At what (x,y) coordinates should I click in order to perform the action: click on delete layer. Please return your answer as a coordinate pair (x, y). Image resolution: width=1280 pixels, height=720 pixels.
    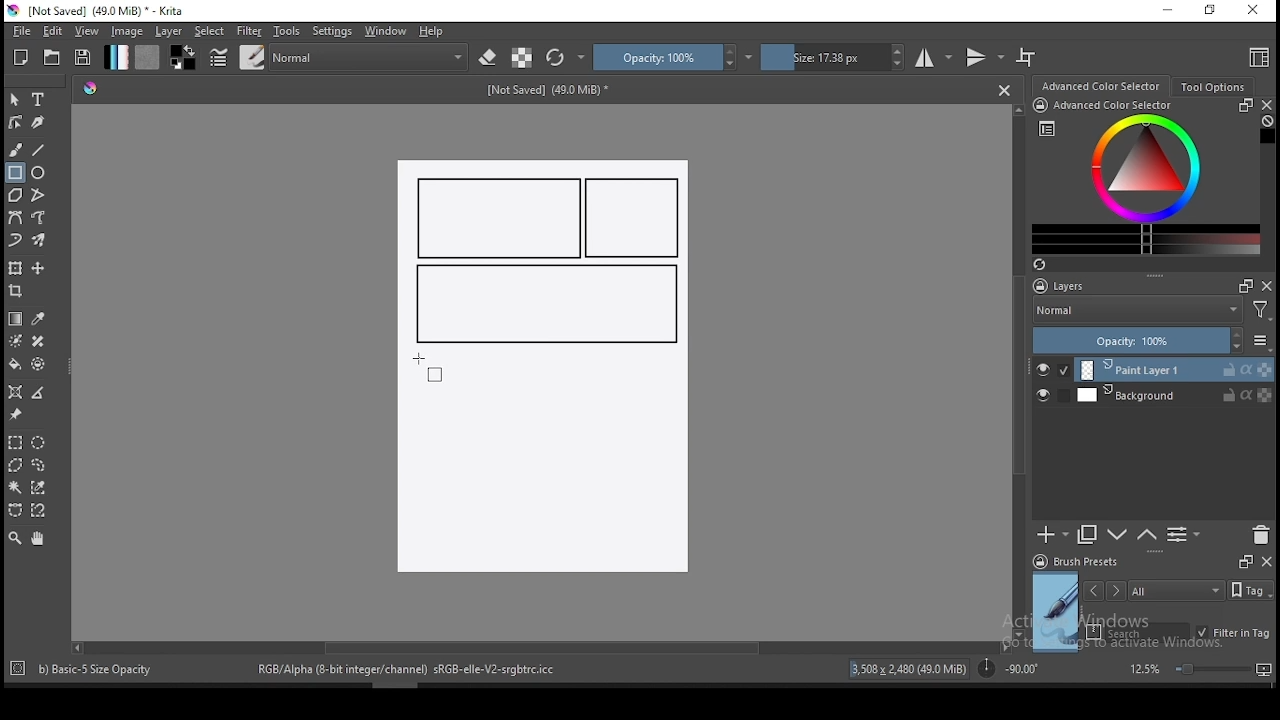
    Looking at the image, I should click on (1260, 536).